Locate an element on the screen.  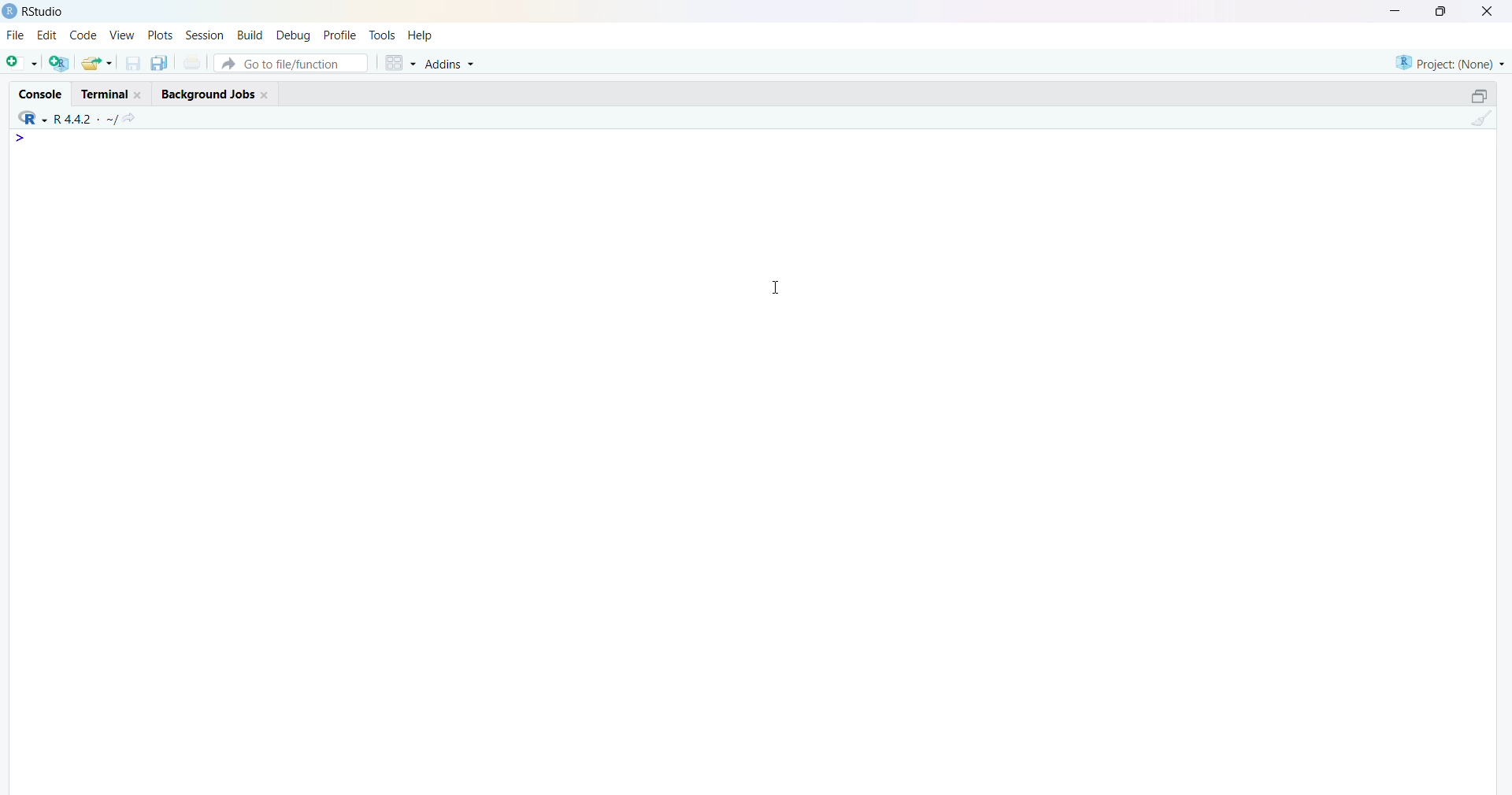
RStudio is located at coordinates (43, 12).